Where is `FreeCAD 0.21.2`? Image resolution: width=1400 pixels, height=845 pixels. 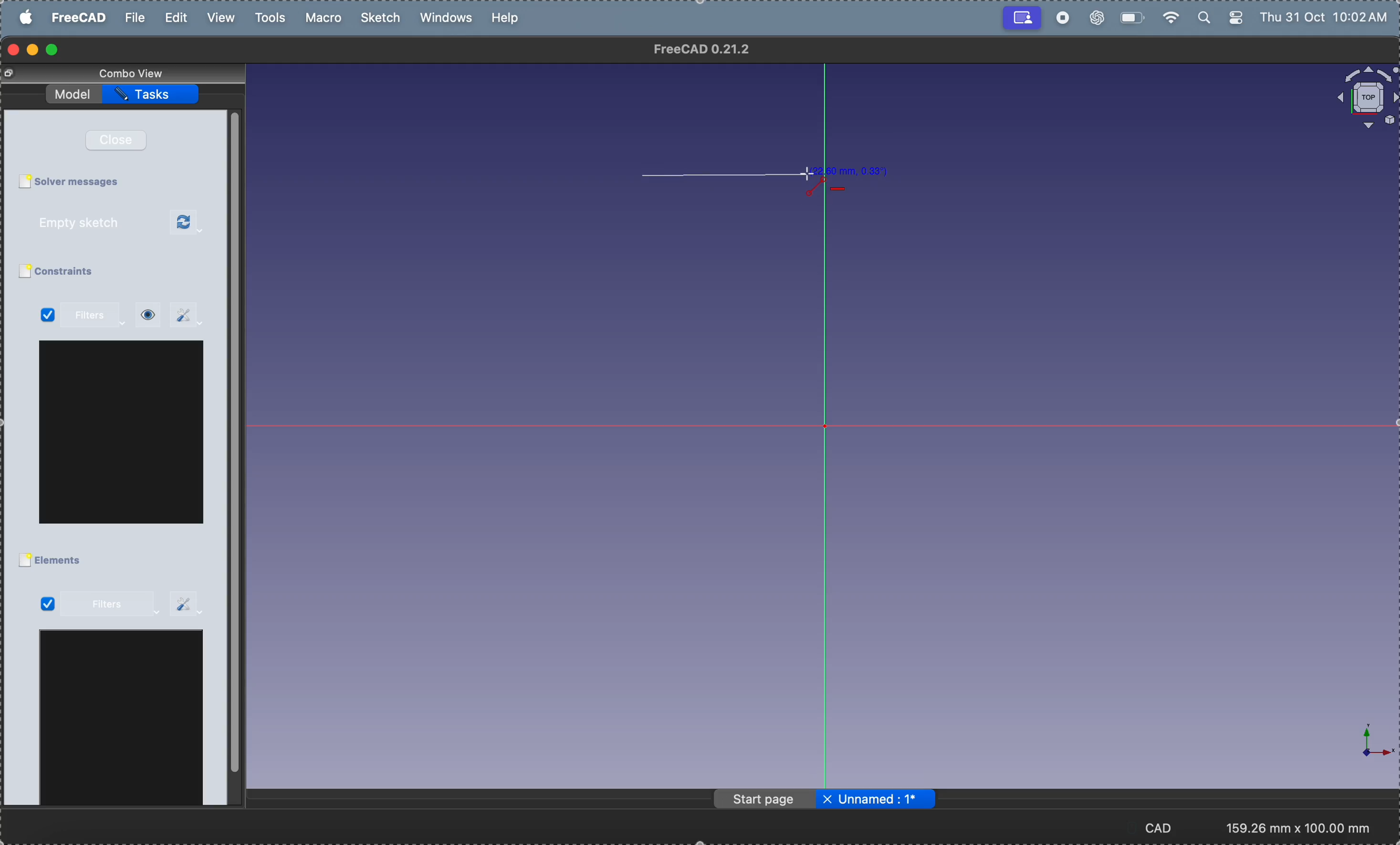
FreeCAD 0.21.2 is located at coordinates (703, 49).